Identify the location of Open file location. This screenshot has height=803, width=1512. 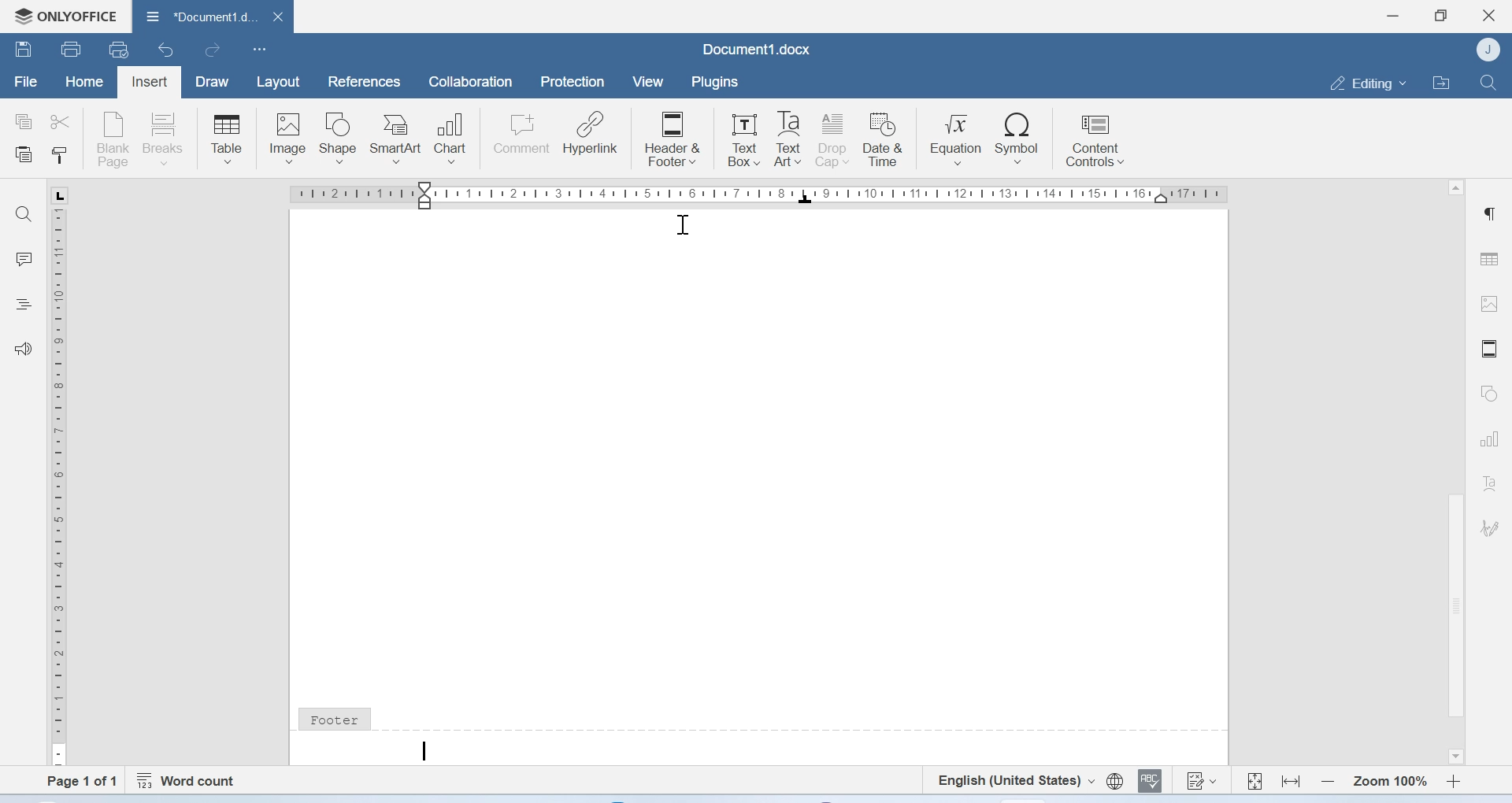
(1440, 81).